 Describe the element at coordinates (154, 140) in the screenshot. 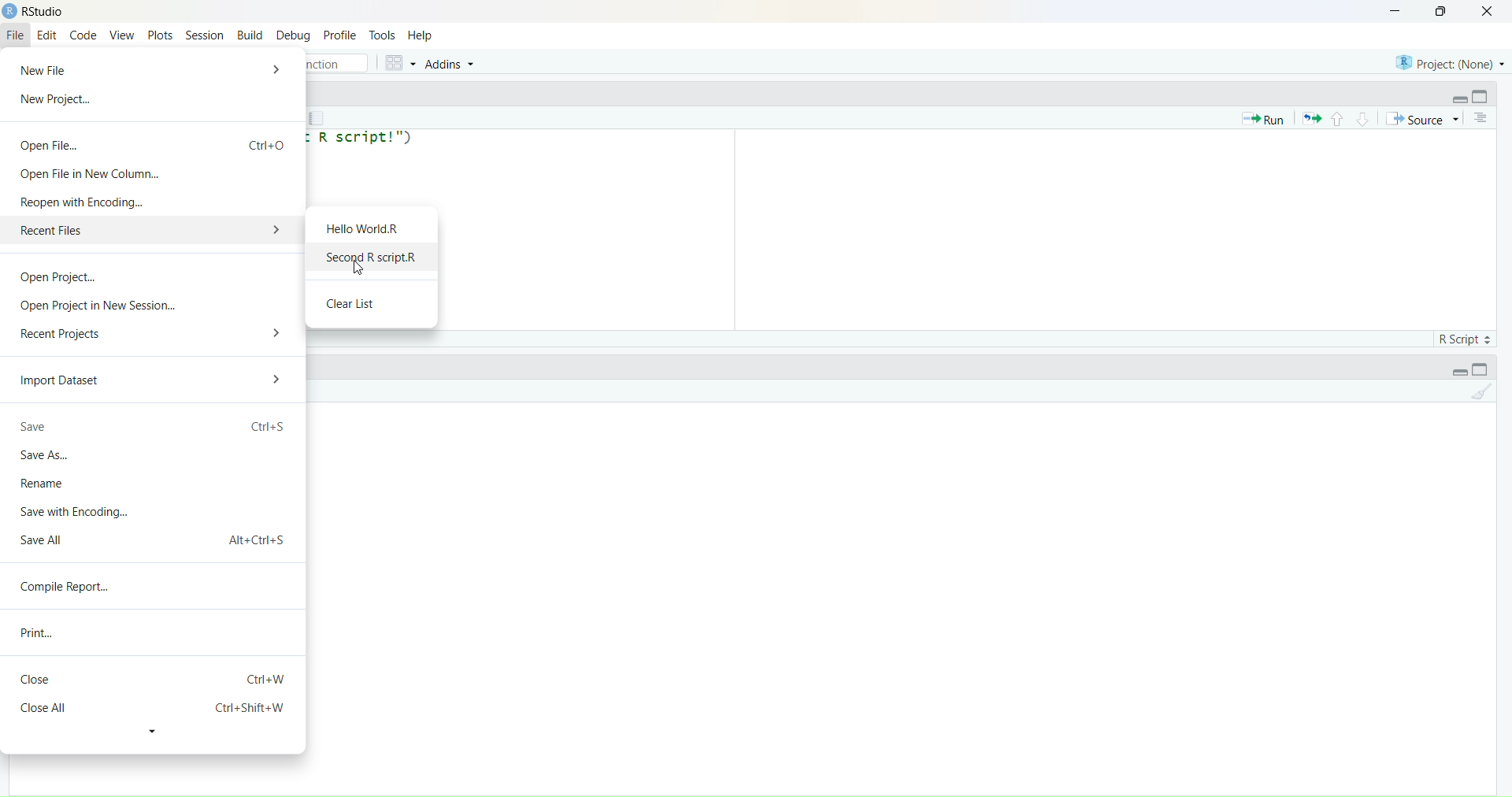

I see `Open File... Ctrl + o` at that location.